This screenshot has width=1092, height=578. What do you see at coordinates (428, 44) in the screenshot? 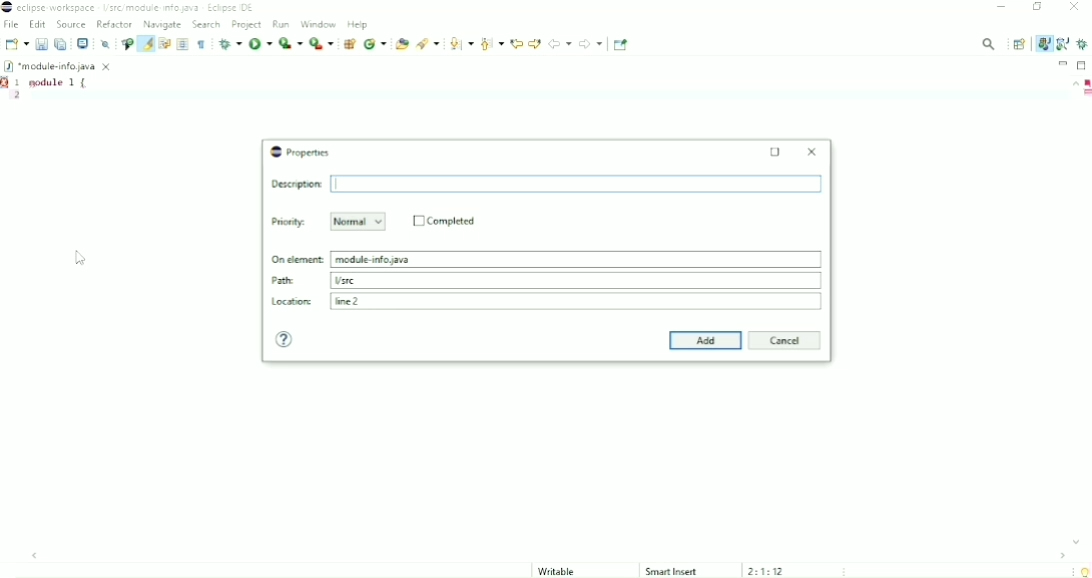
I see `Search` at bounding box center [428, 44].